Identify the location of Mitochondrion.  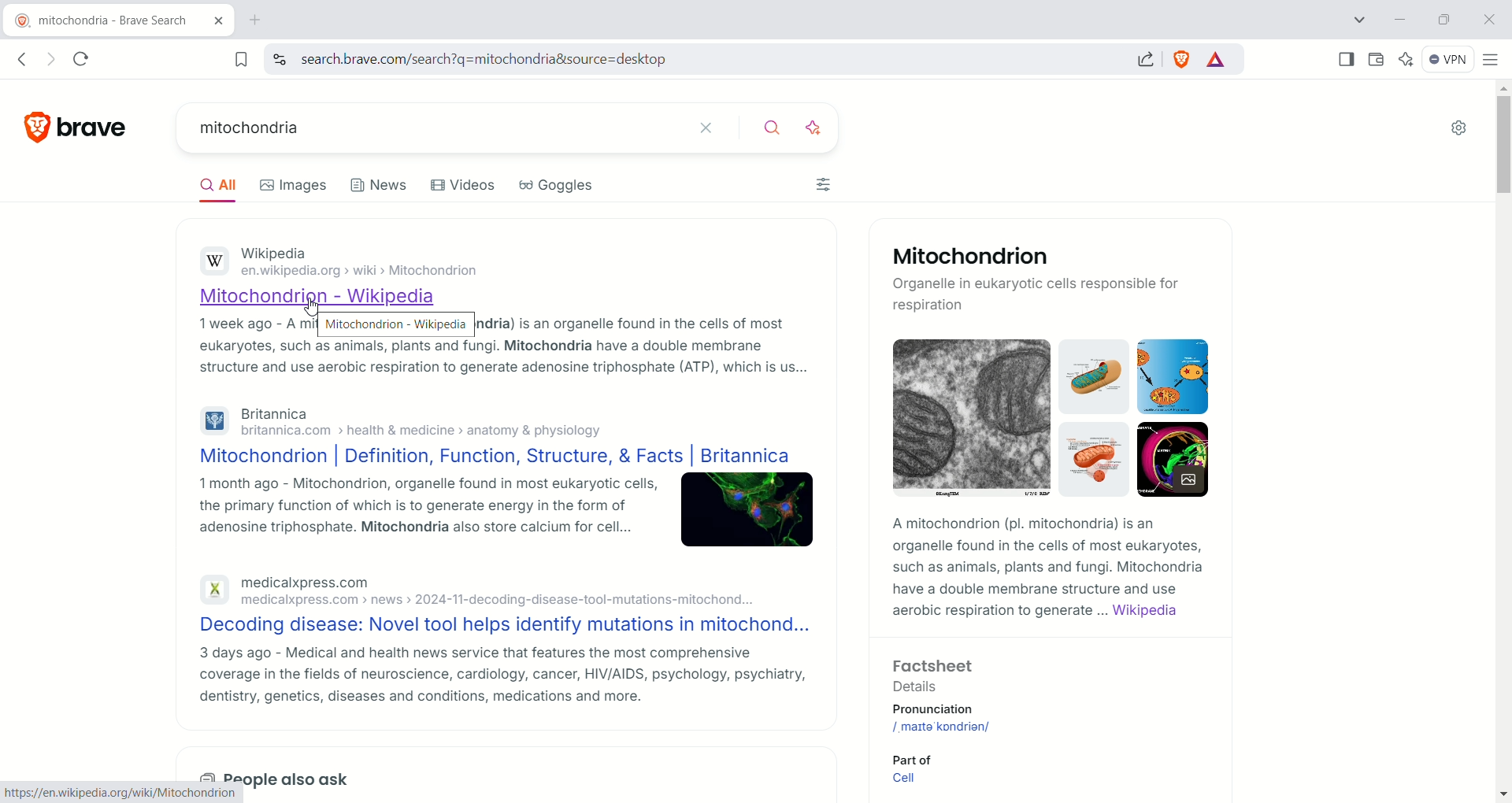
(971, 251).